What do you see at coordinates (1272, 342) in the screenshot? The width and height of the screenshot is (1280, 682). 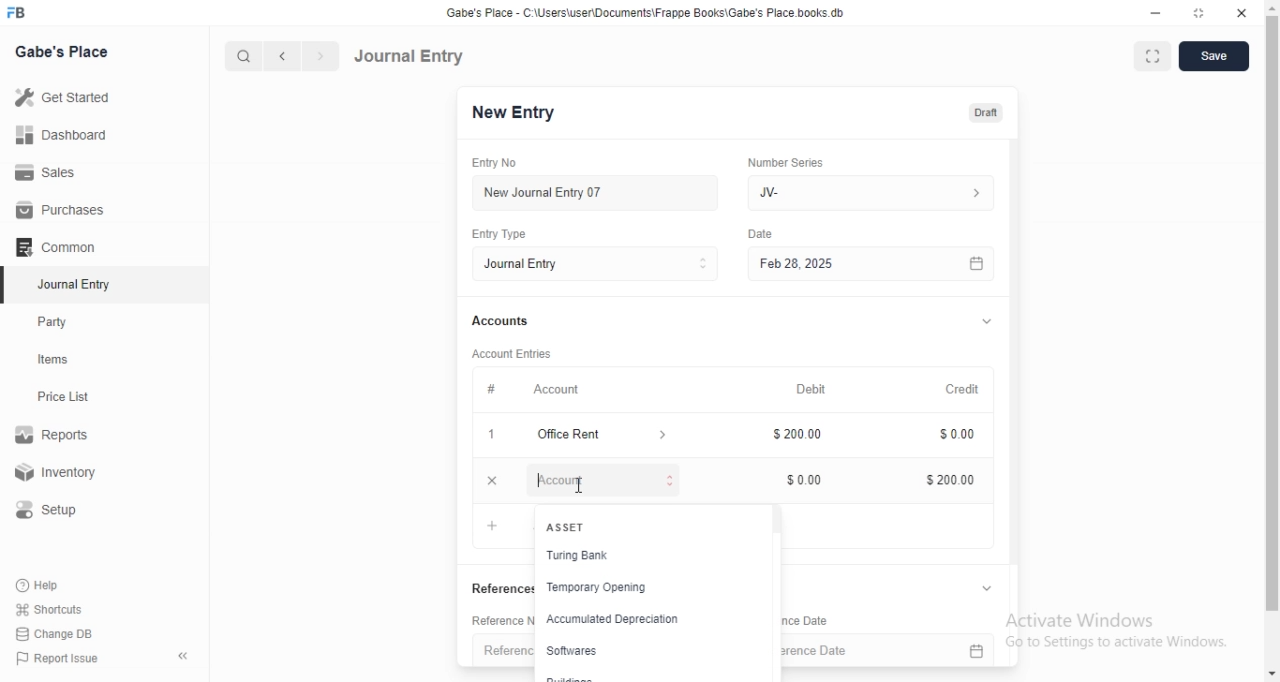 I see `scrollbar` at bounding box center [1272, 342].